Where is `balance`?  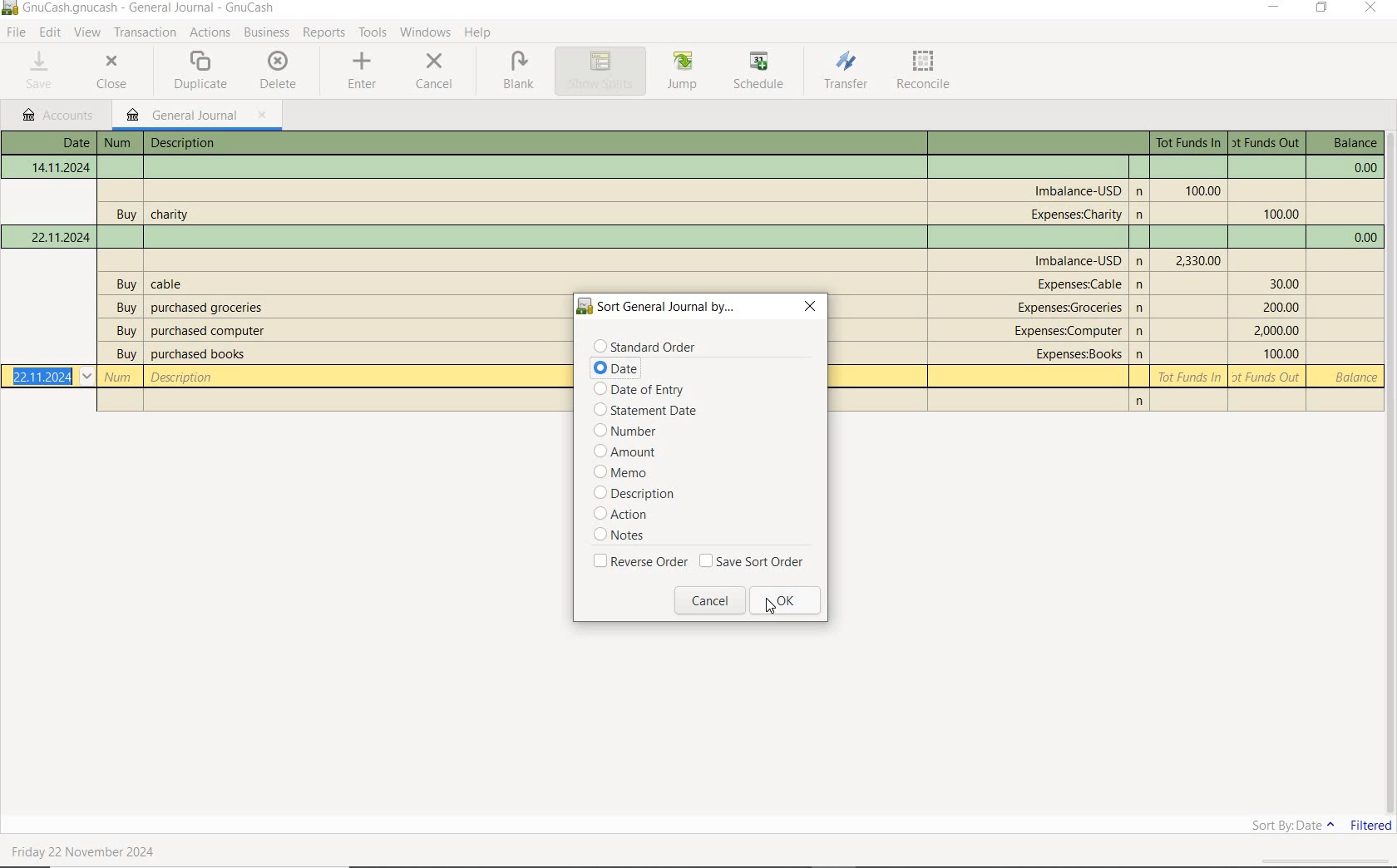 balance is located at coordinates (1361, 238).